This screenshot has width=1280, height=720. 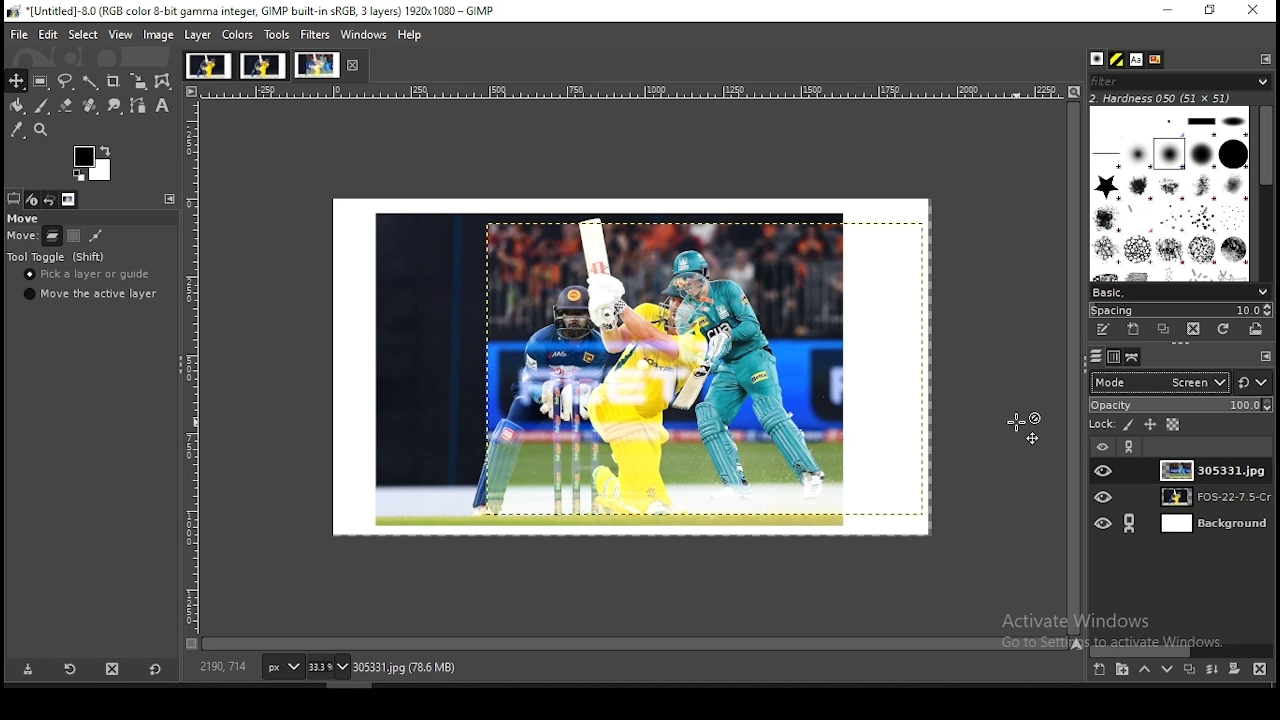 I want to click on minimize, so click(x=1170, y=11).